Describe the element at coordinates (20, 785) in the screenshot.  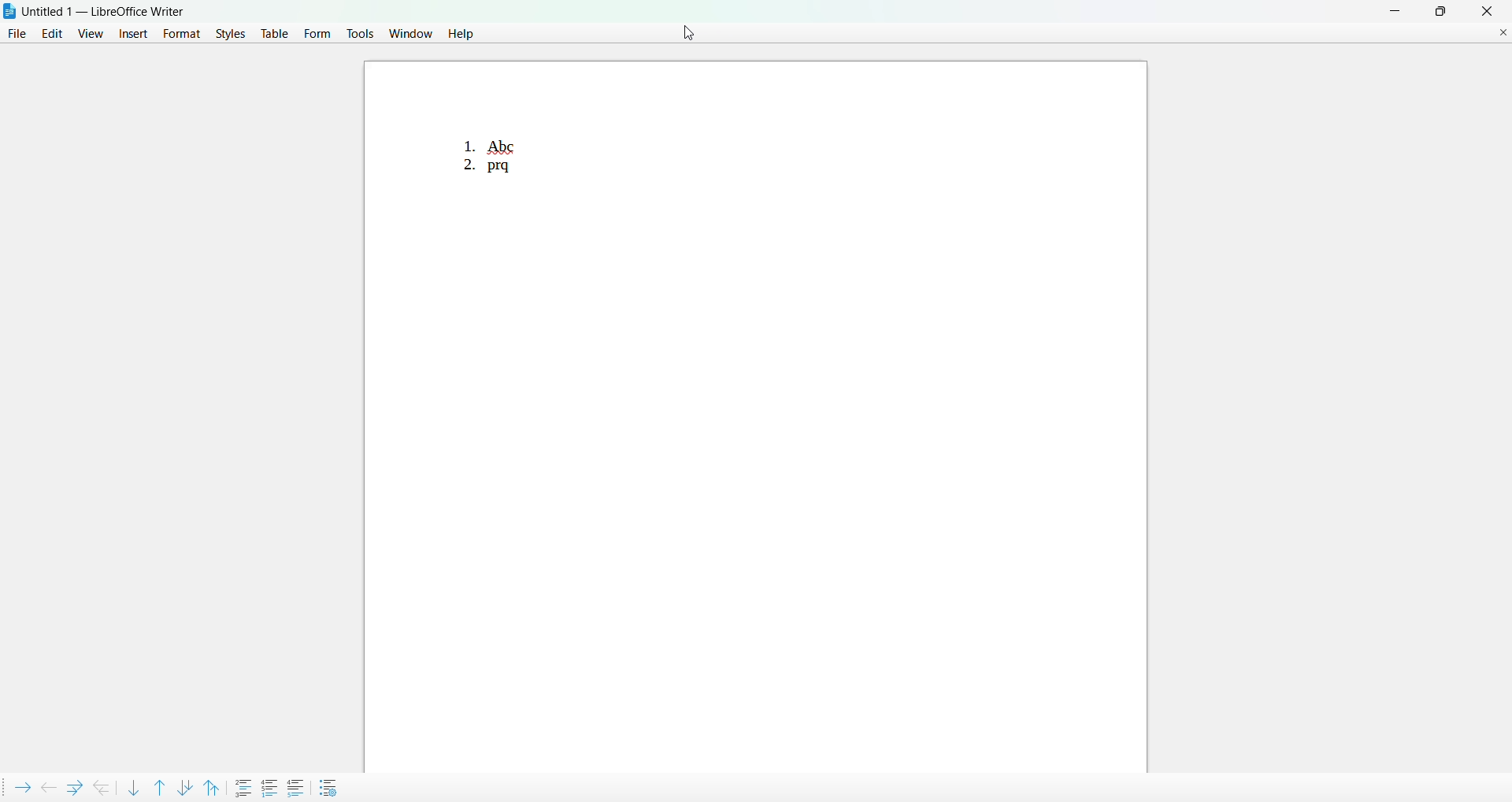
I see `demote outline level` at that location.